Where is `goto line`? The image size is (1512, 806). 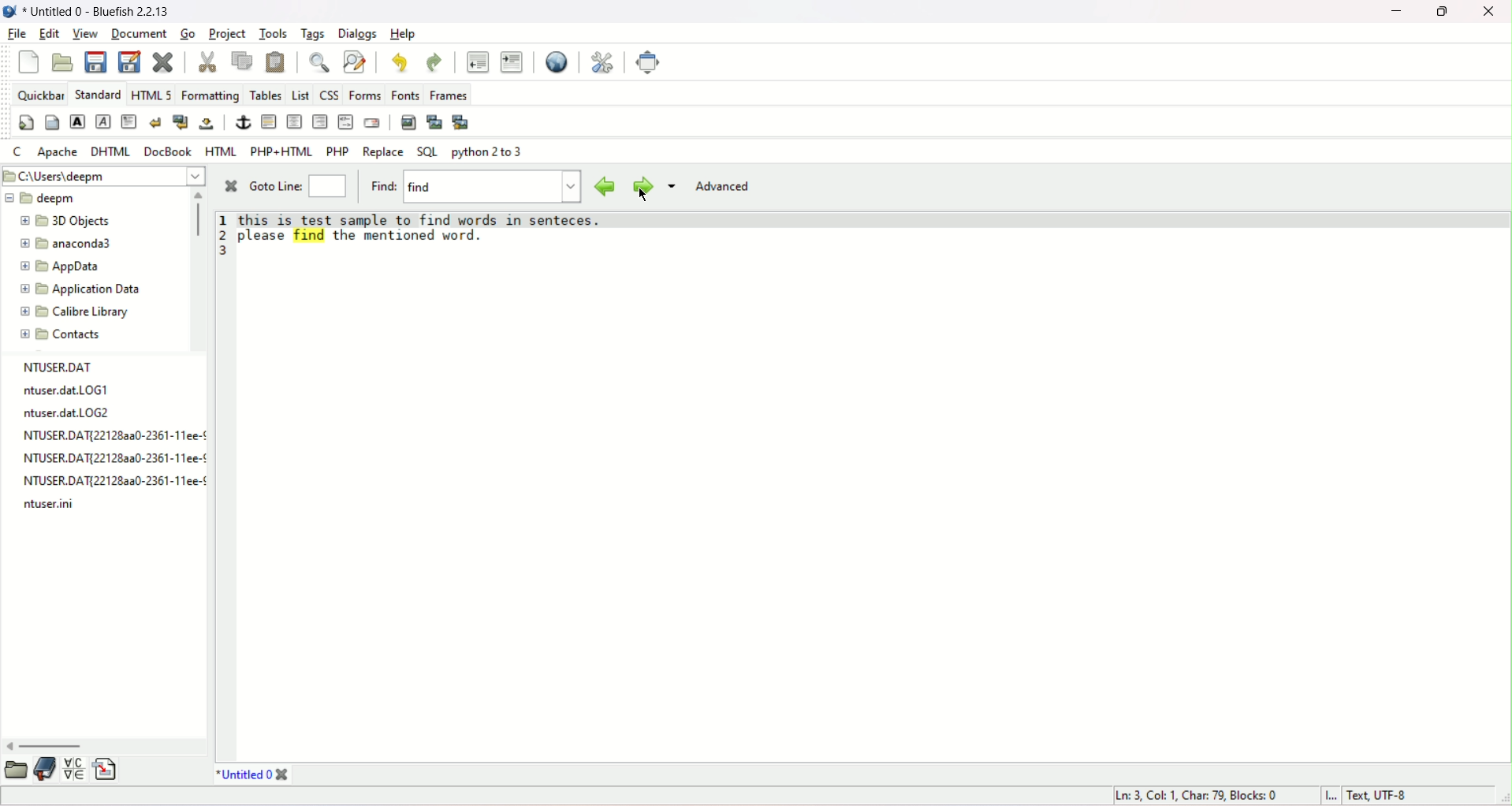 goto line is located at coordinates (327, 185).